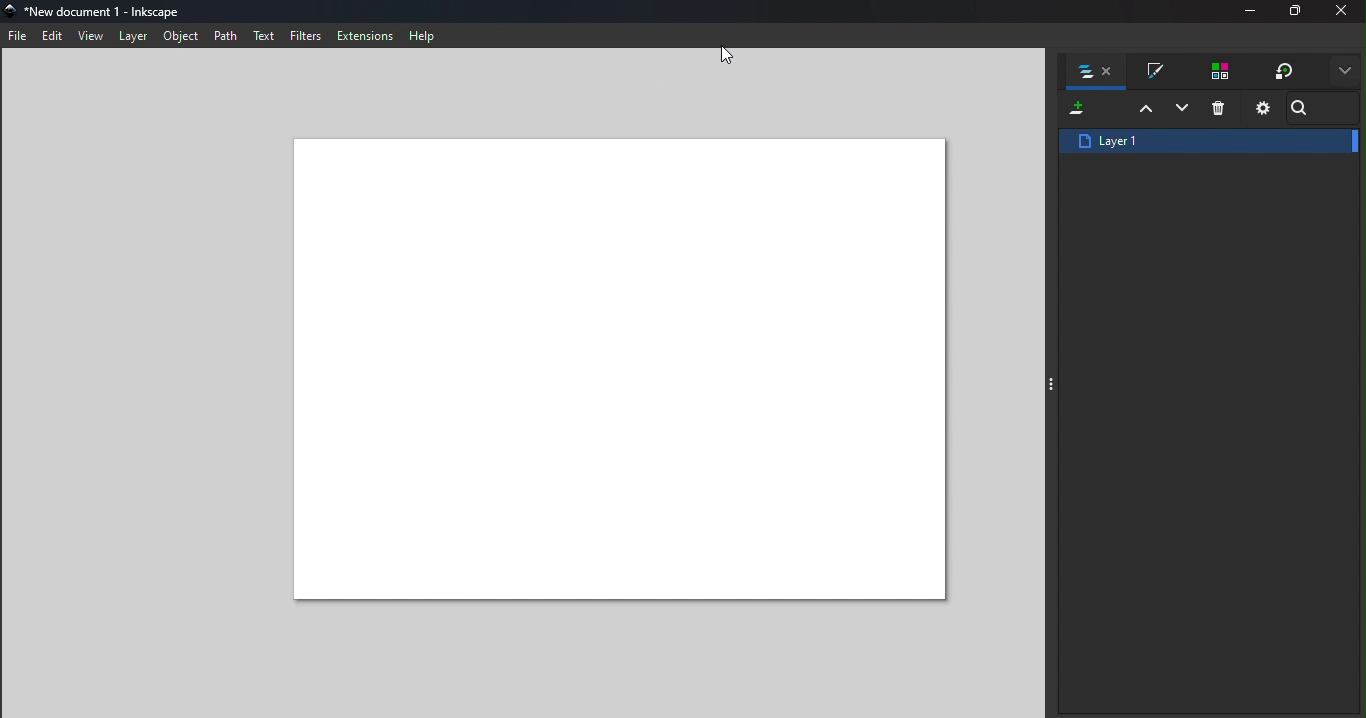 Image resolution: width=1366 pixels, height=718 pixels. I want to click on Fill and stroke, so click(1159, 73).